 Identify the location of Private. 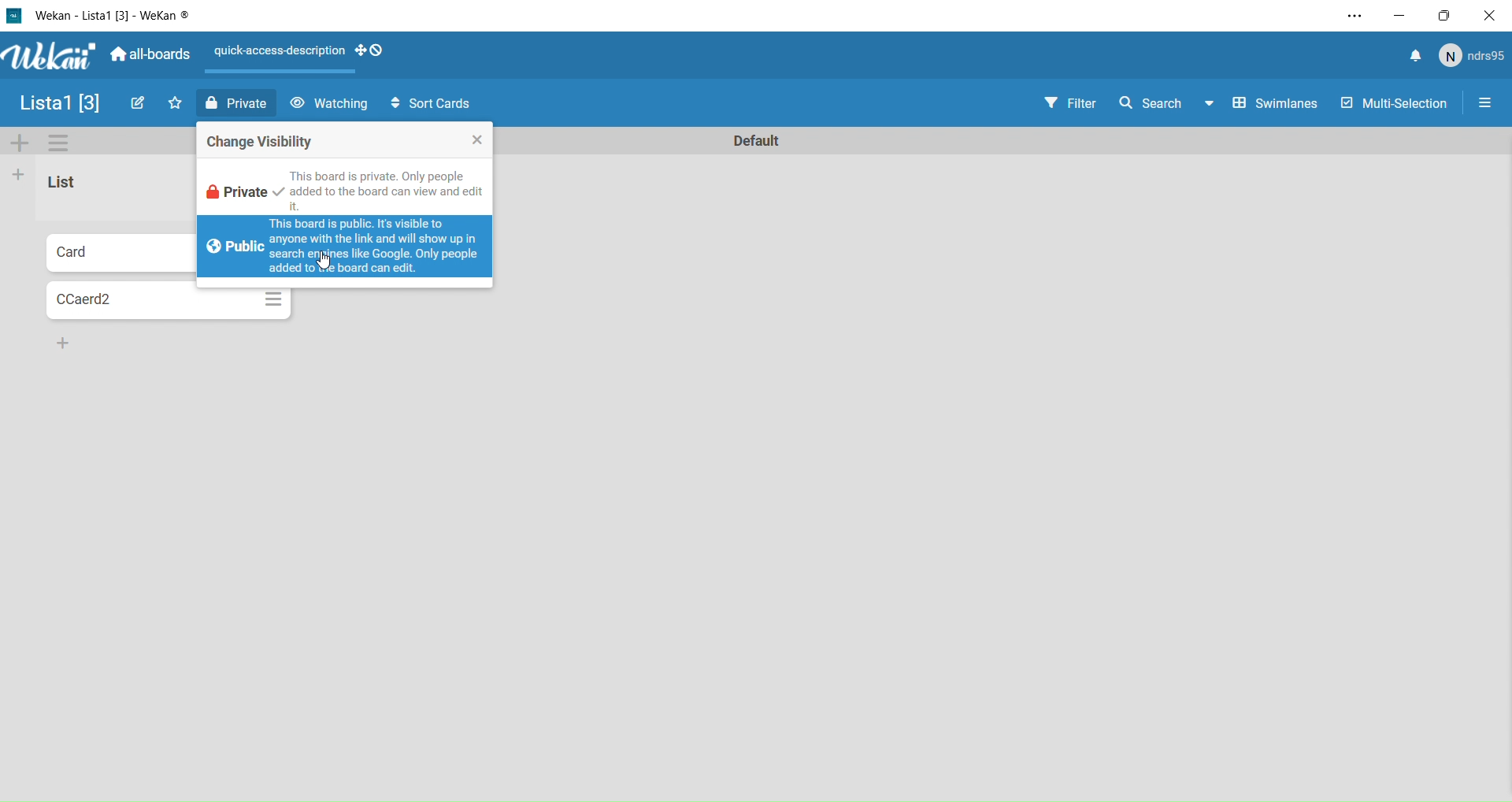
(237, 105).